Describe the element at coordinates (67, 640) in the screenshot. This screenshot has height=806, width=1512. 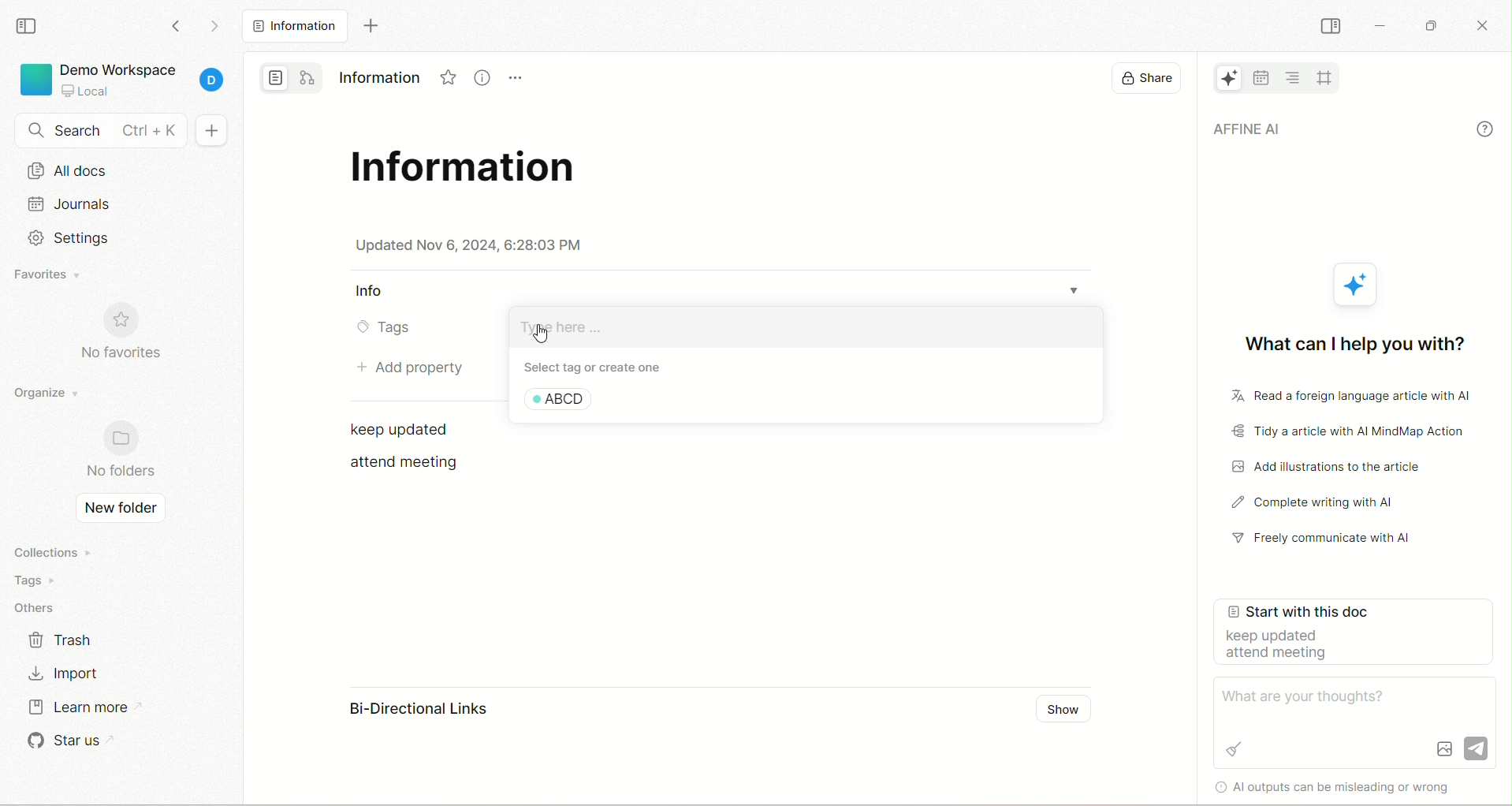
I see `trash` at that location.